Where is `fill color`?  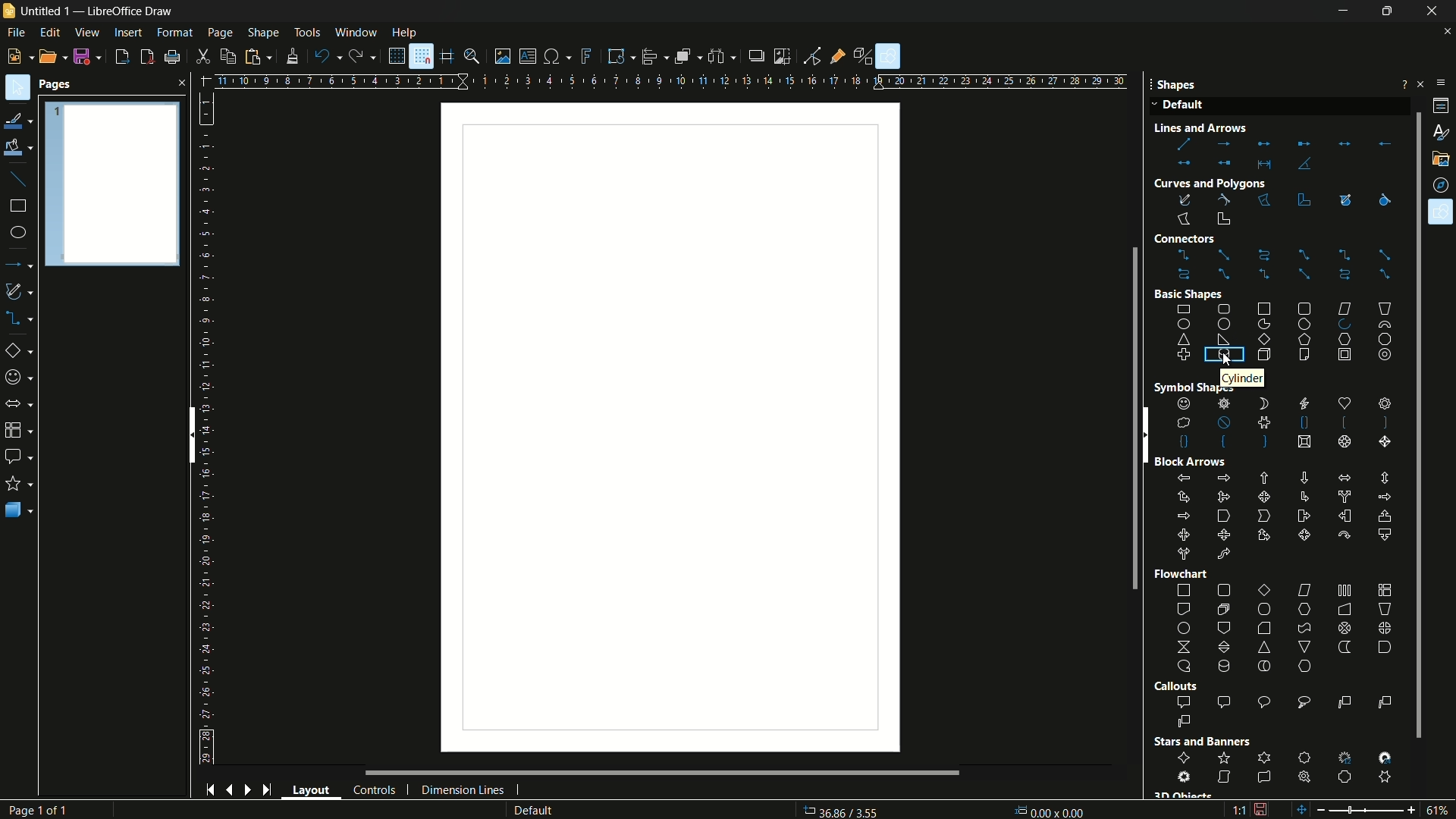
fill color is located at coordinates (17, 148).